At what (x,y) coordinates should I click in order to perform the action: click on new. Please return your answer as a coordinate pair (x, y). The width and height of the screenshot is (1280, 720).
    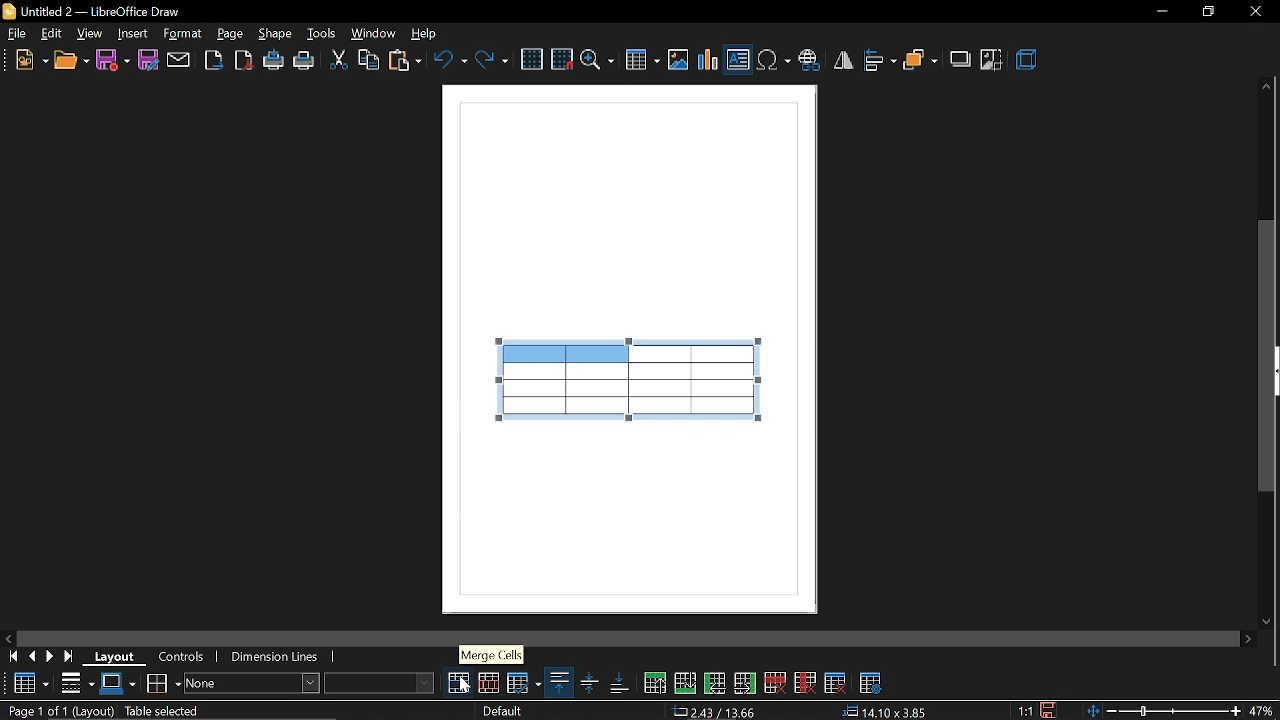
    Looking at the image, I should click on (25, 59).